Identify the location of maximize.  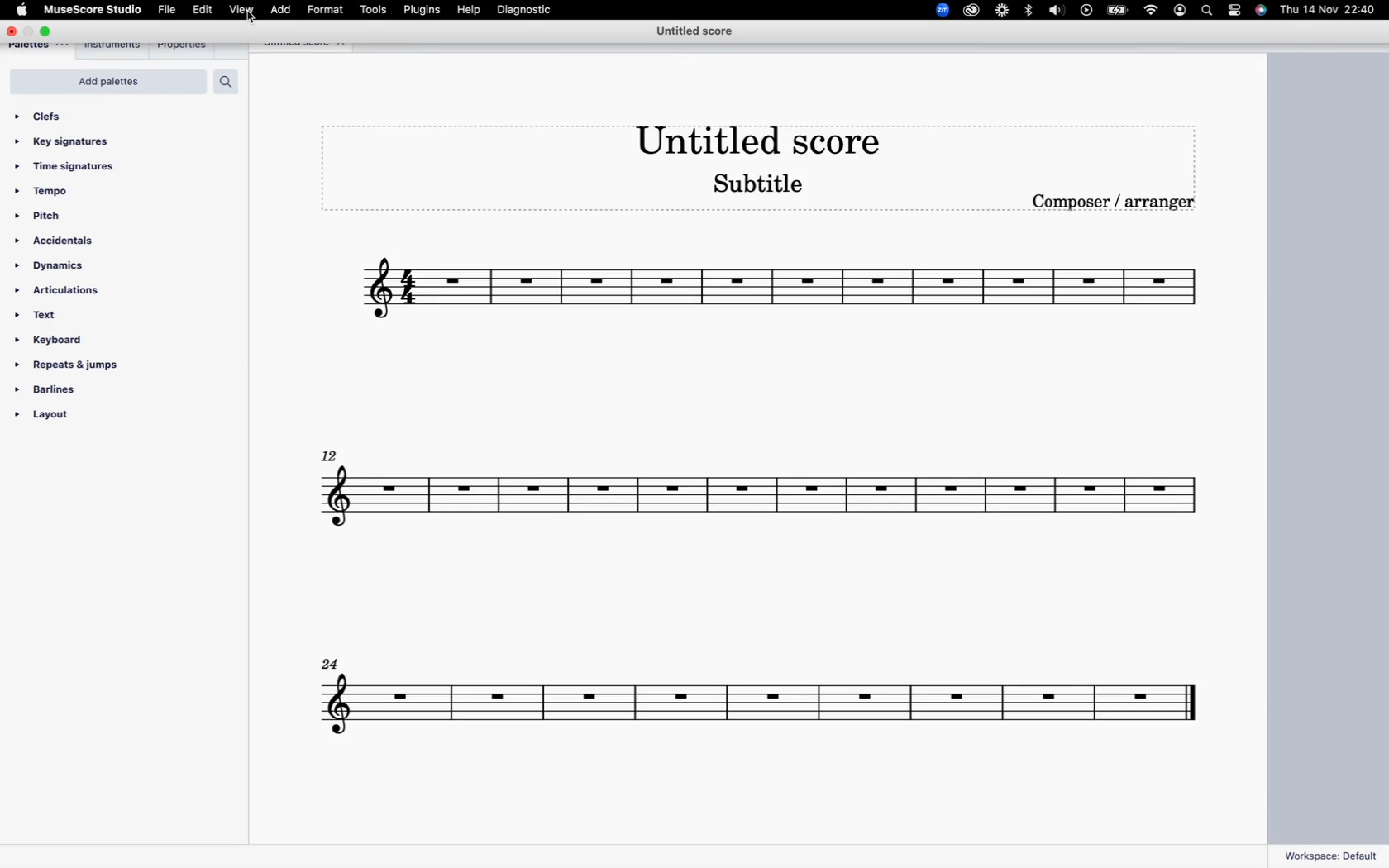
(50, 31).